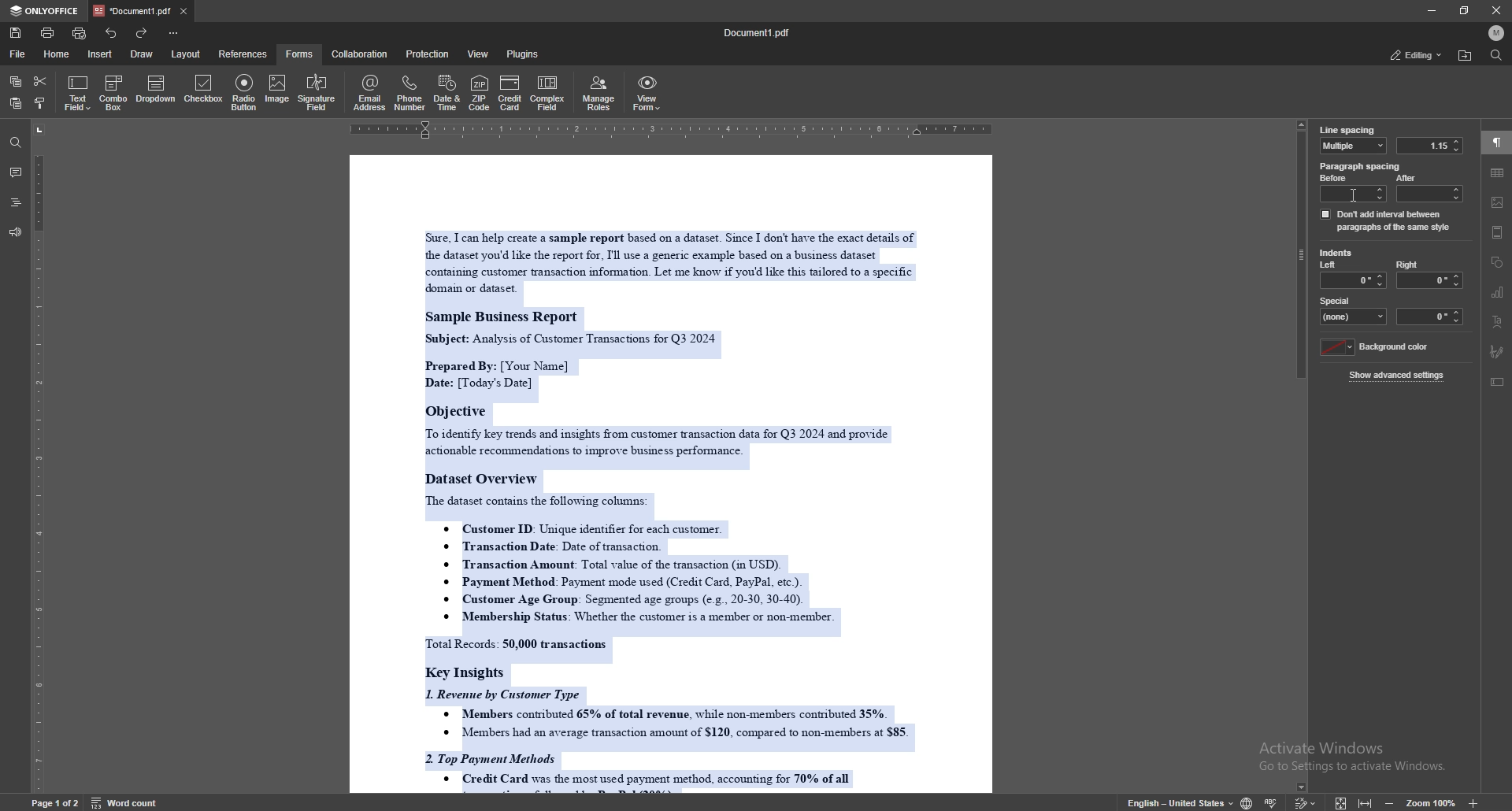 This screenshot has width=1512, height=811. I want to click on after, so click(1428, 187).